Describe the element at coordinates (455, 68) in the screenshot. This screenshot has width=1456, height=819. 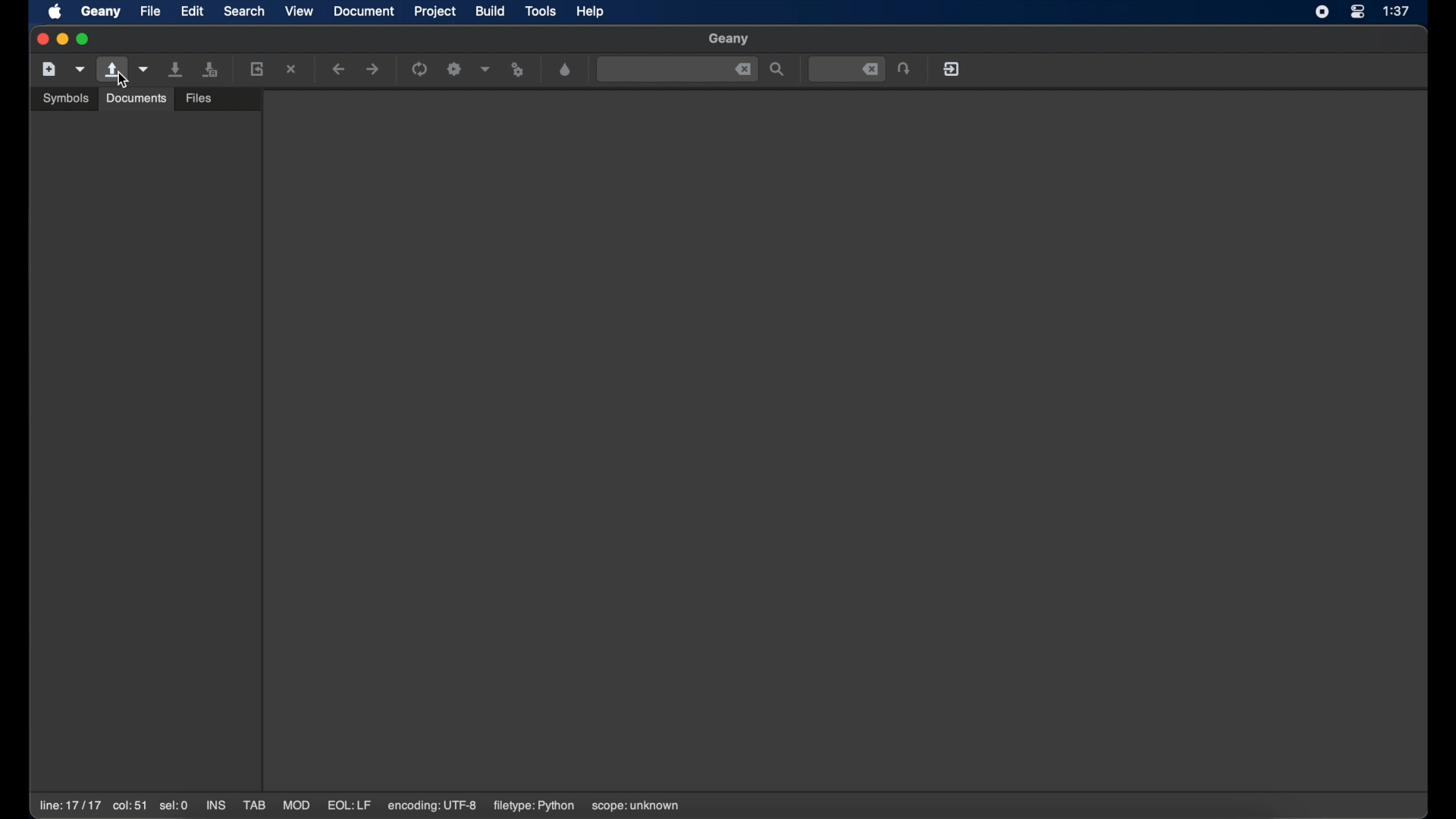
I see `build the current file` at that location.